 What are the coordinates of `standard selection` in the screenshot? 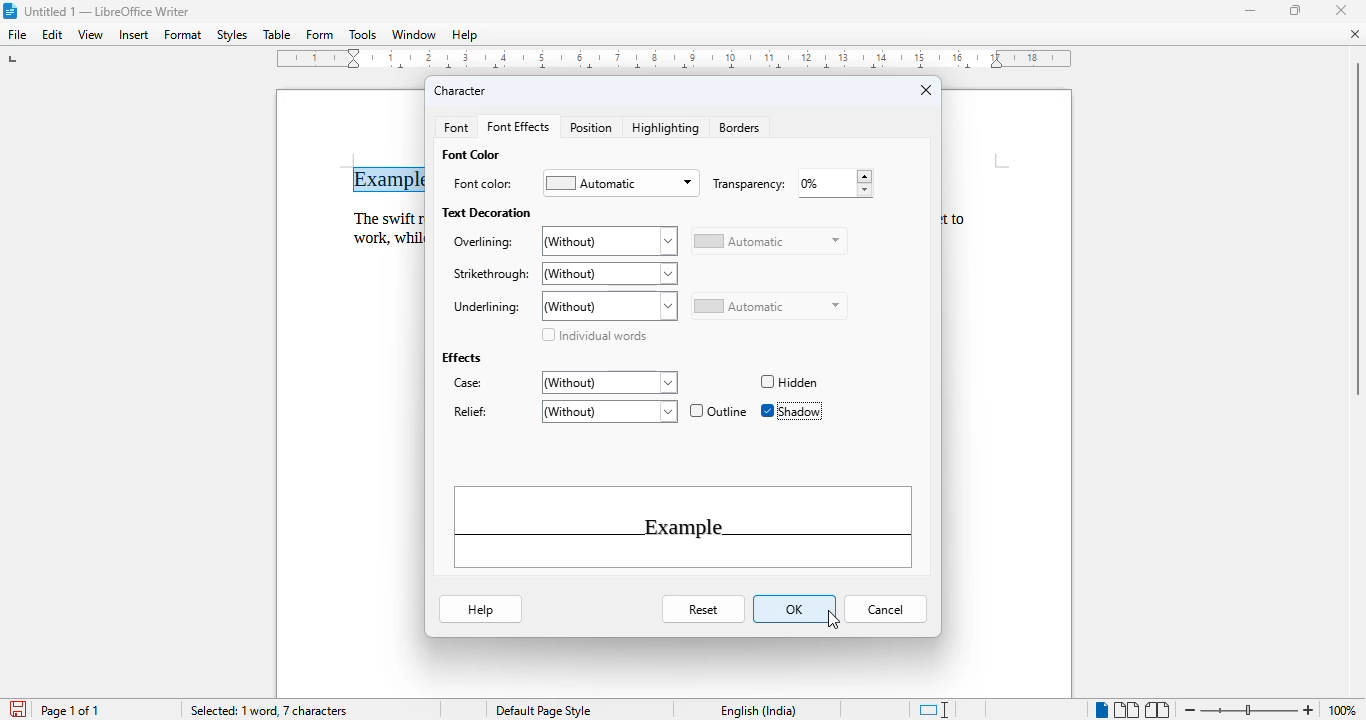 It's located at (933, 710).